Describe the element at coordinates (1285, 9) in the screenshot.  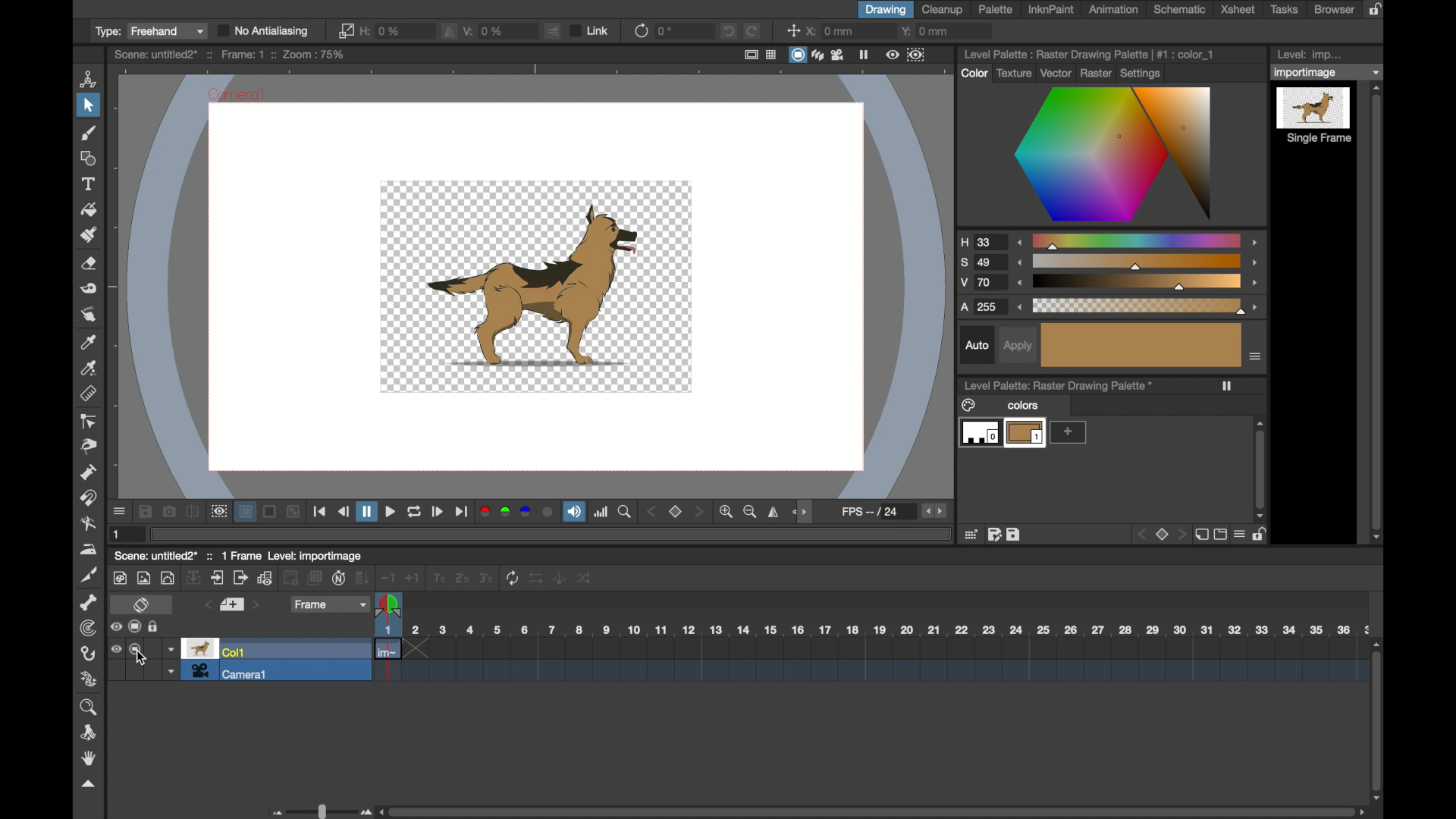
I see `tasks` at that location.